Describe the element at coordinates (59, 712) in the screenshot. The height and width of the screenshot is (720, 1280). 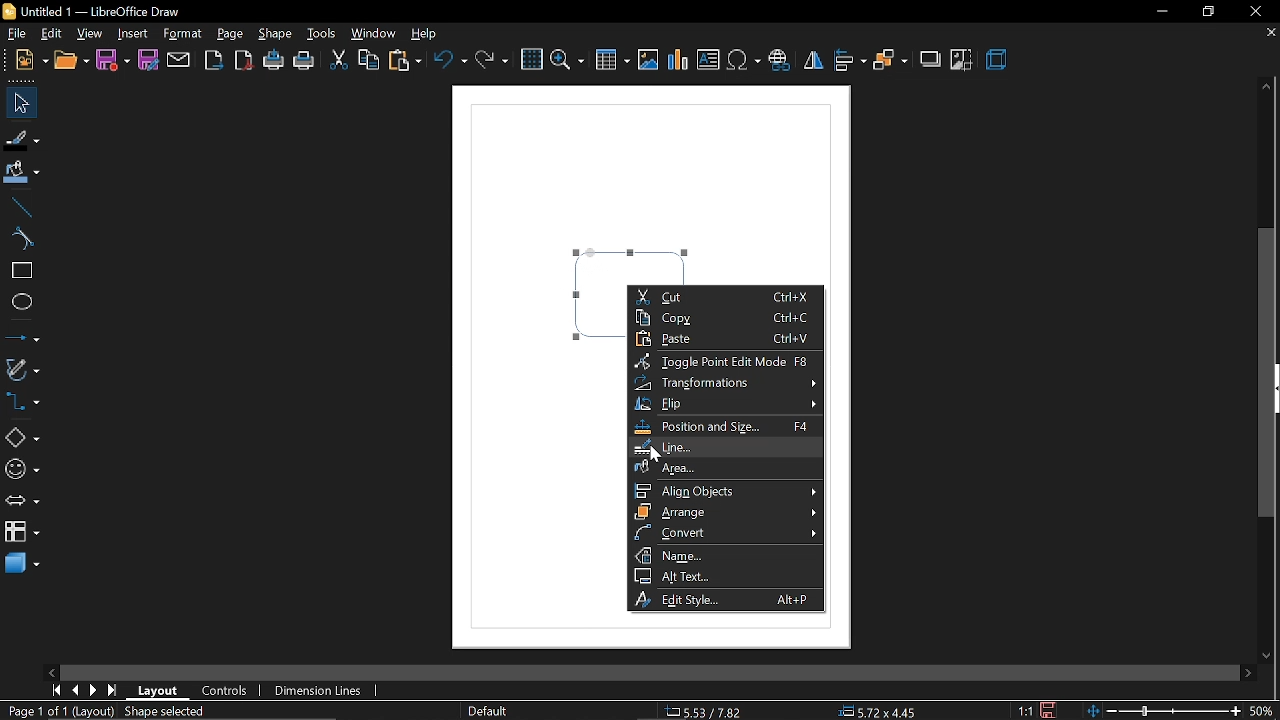
I see `current page` at that location.